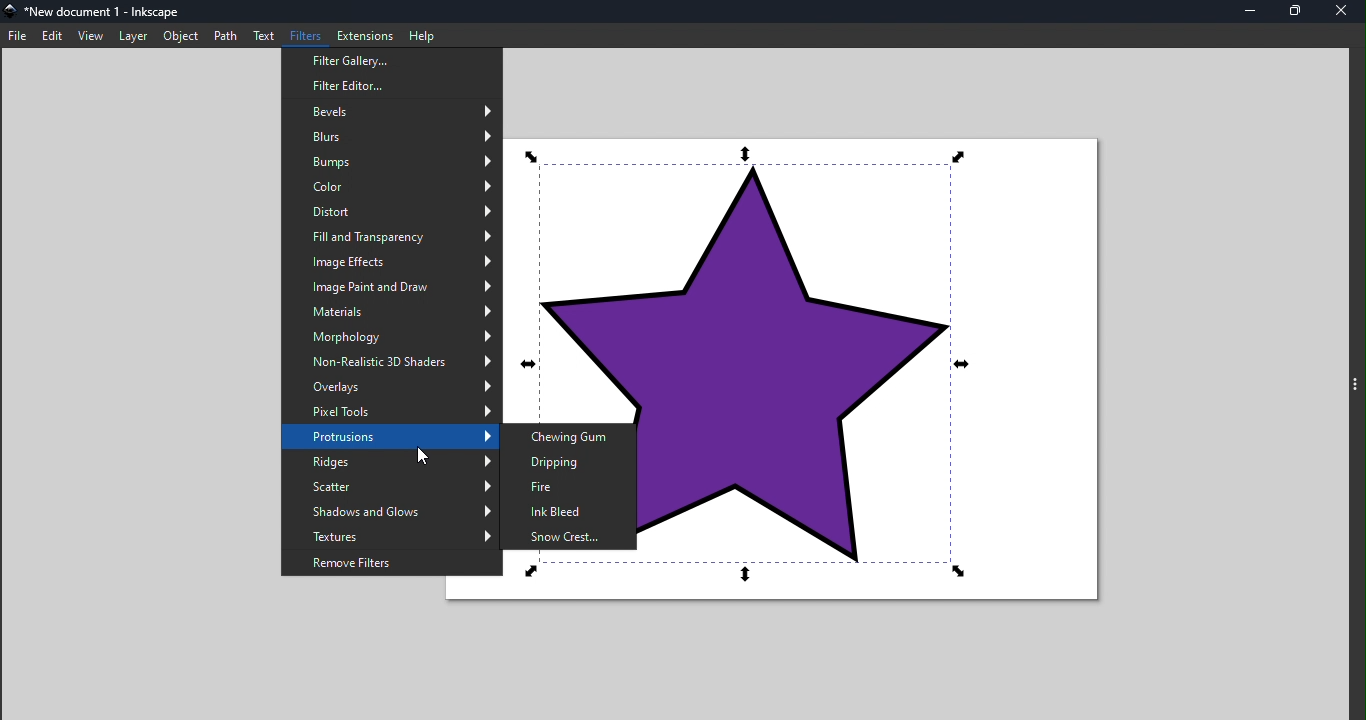 The image size is (1366, 720). What do you see at coordinates (392, 313) in the screenshot?
I see `Materials` at bounding box center [392, 313].